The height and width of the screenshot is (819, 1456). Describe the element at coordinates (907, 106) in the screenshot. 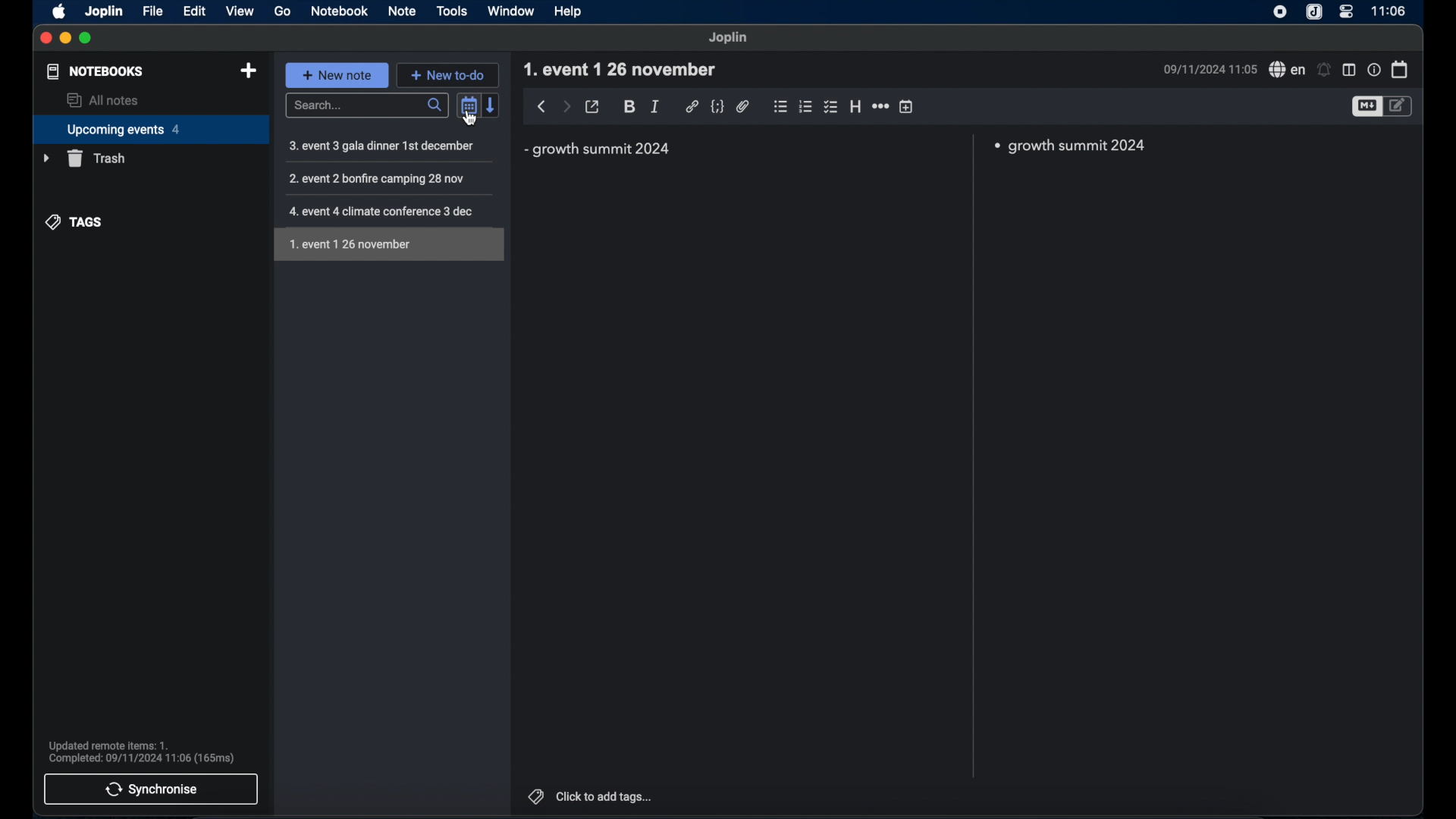

I see `insert time` at that location.